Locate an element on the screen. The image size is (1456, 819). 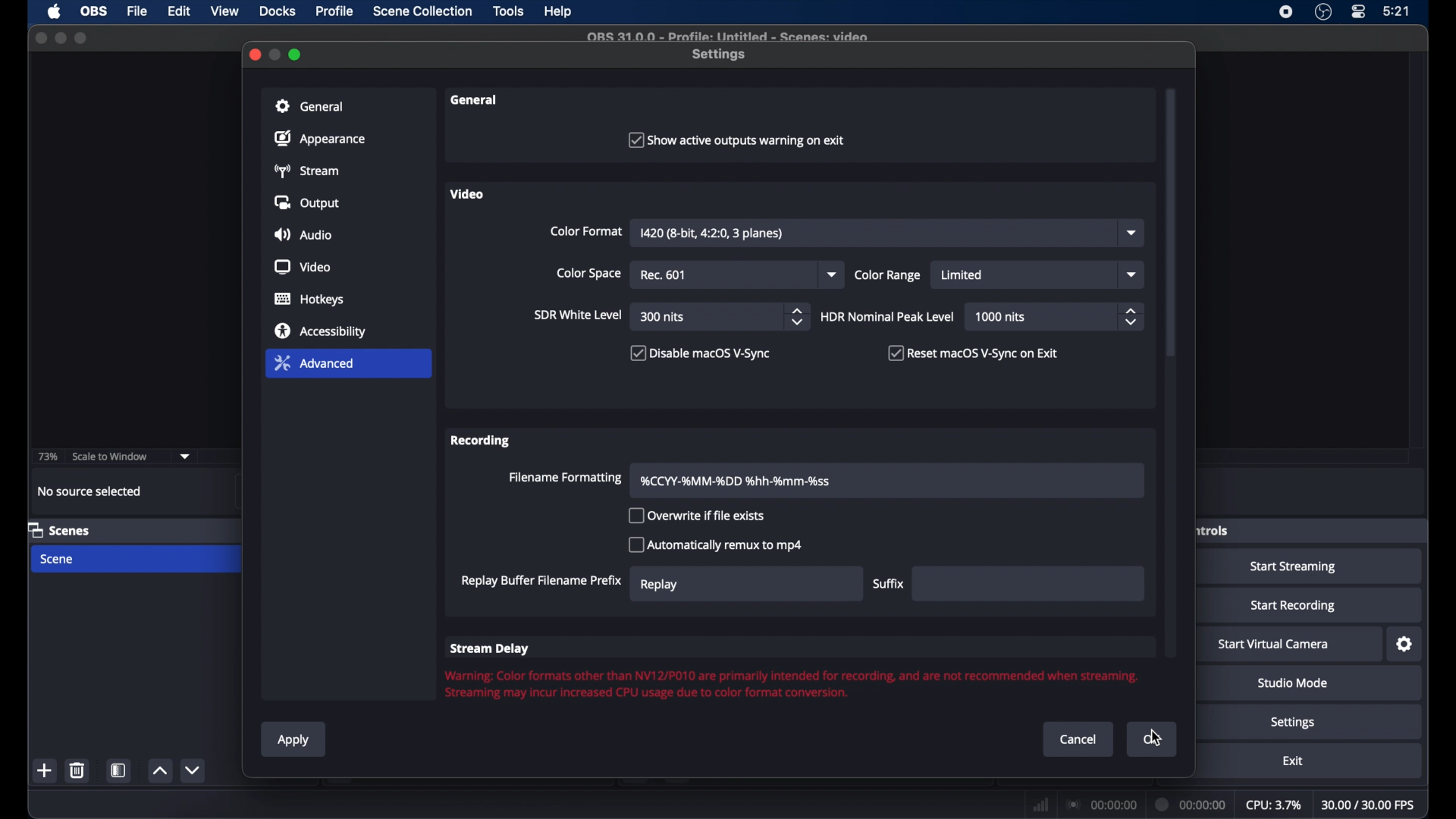
apply is located at coordinates (292, 740).